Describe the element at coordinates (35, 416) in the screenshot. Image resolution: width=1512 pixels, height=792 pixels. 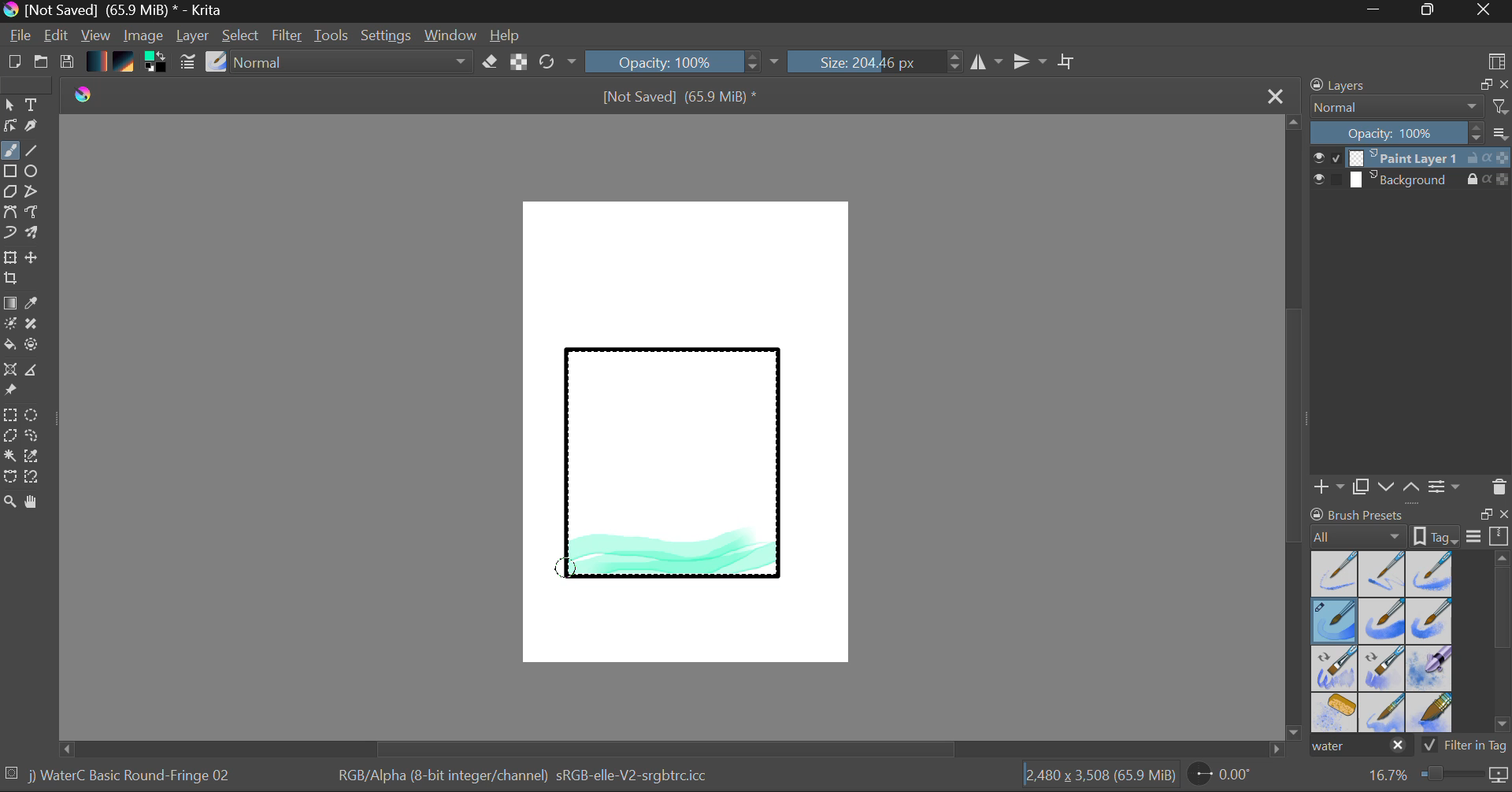
I see `Elipses Selection tool` at that location.